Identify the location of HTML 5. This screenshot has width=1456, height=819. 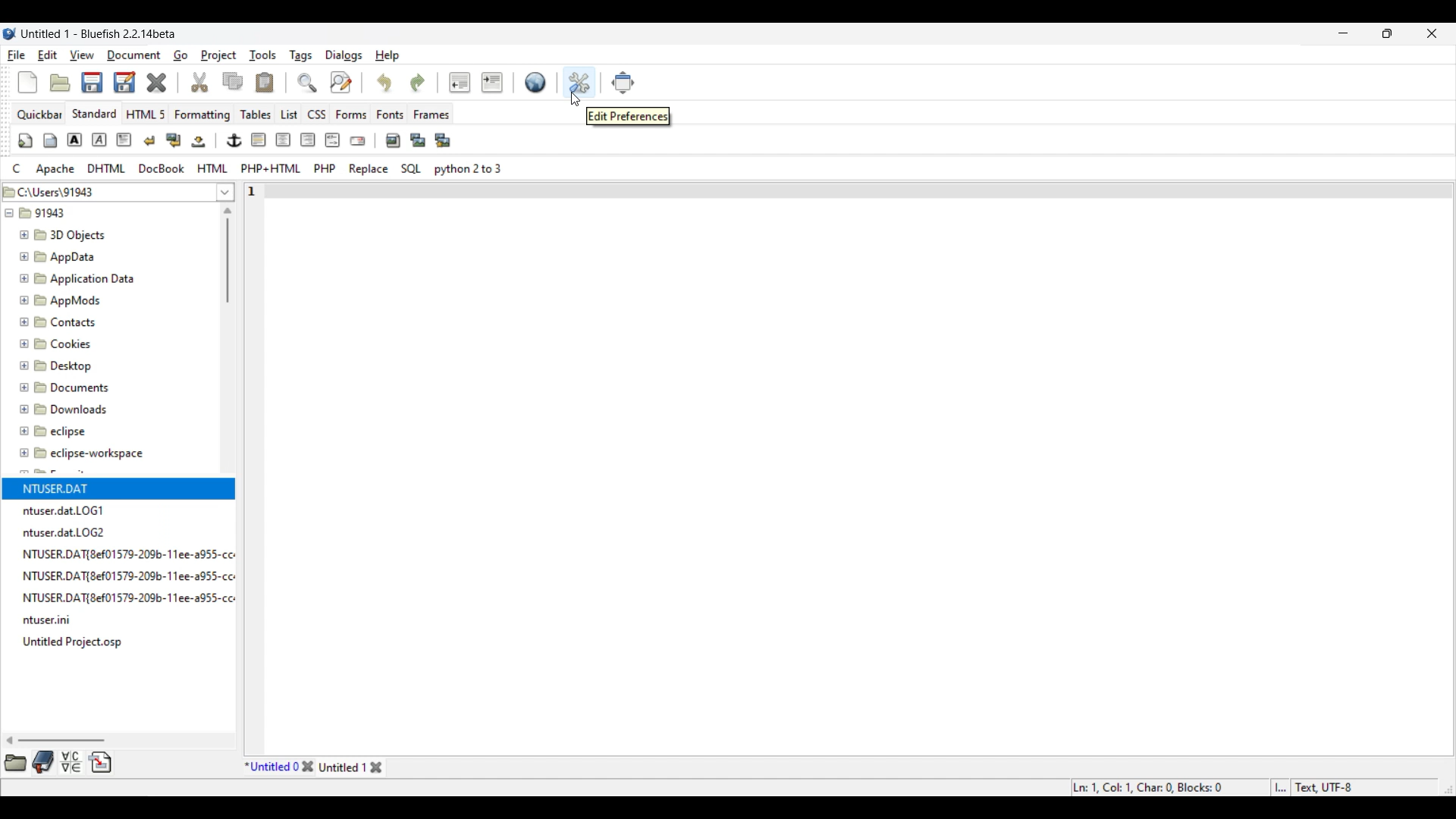
(146, 114).